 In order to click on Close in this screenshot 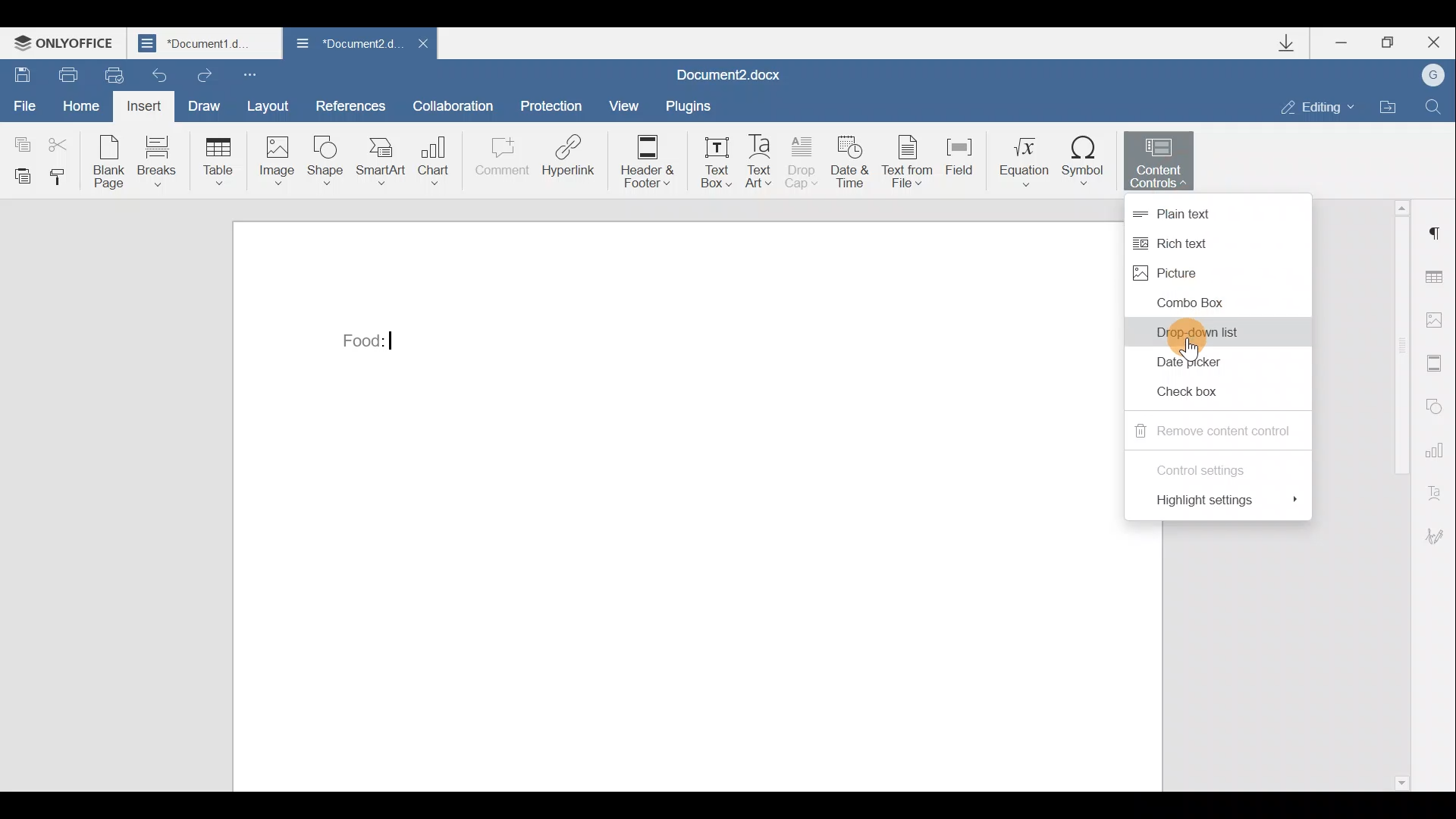, I will do `click(1432, 42)`.